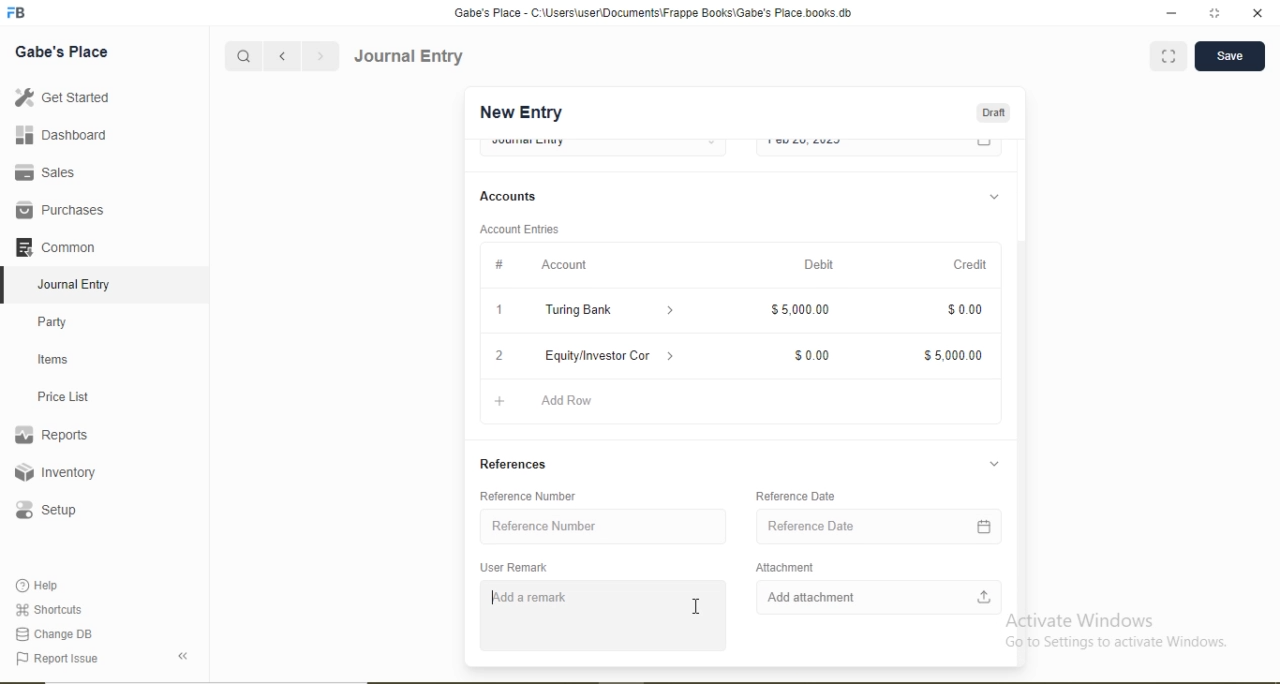  Describe the element at coordinates (56, 472) in the screenshot. I see `Inventory` at that location.